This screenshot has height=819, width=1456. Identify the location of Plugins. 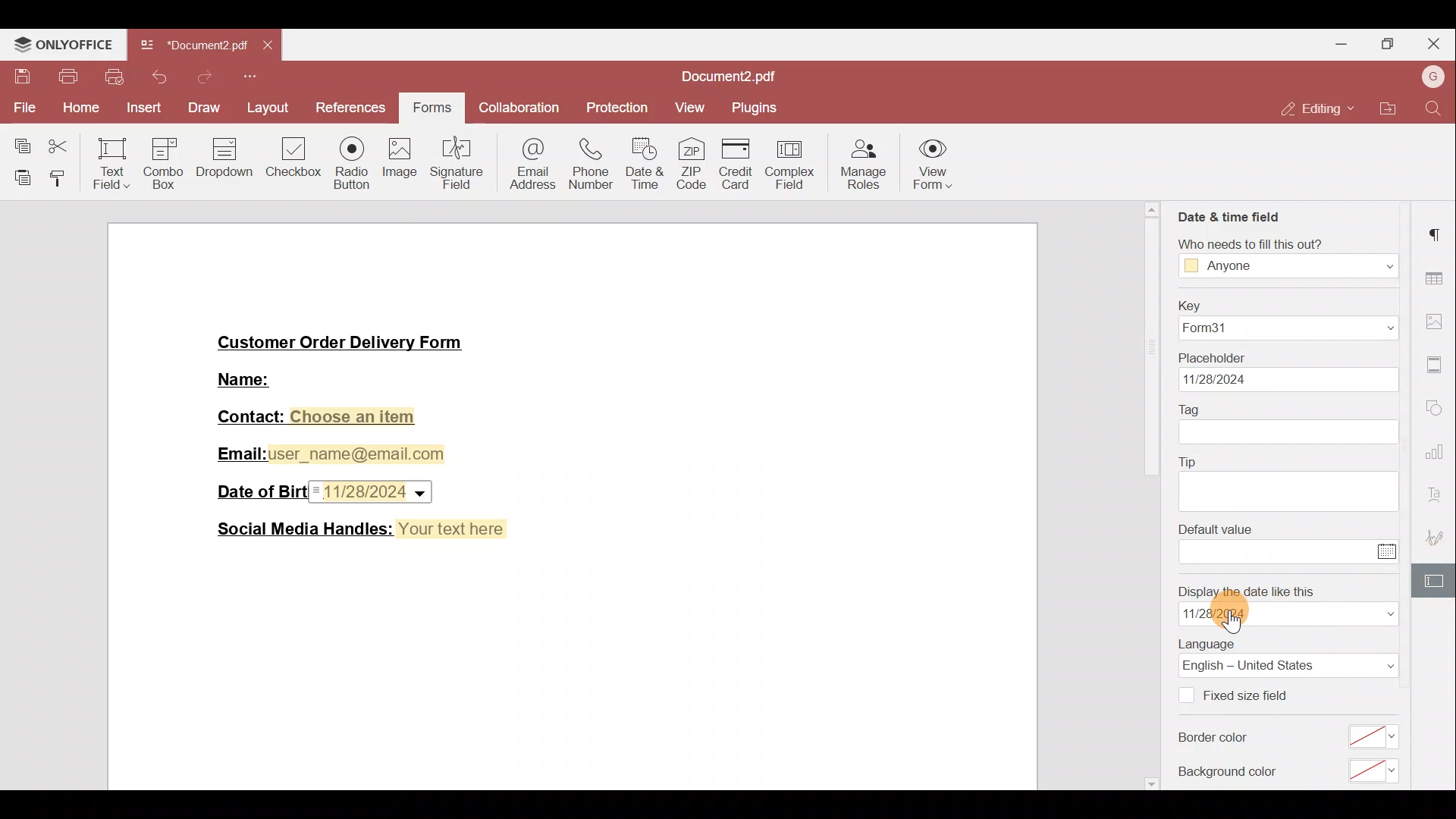
(761, 107).